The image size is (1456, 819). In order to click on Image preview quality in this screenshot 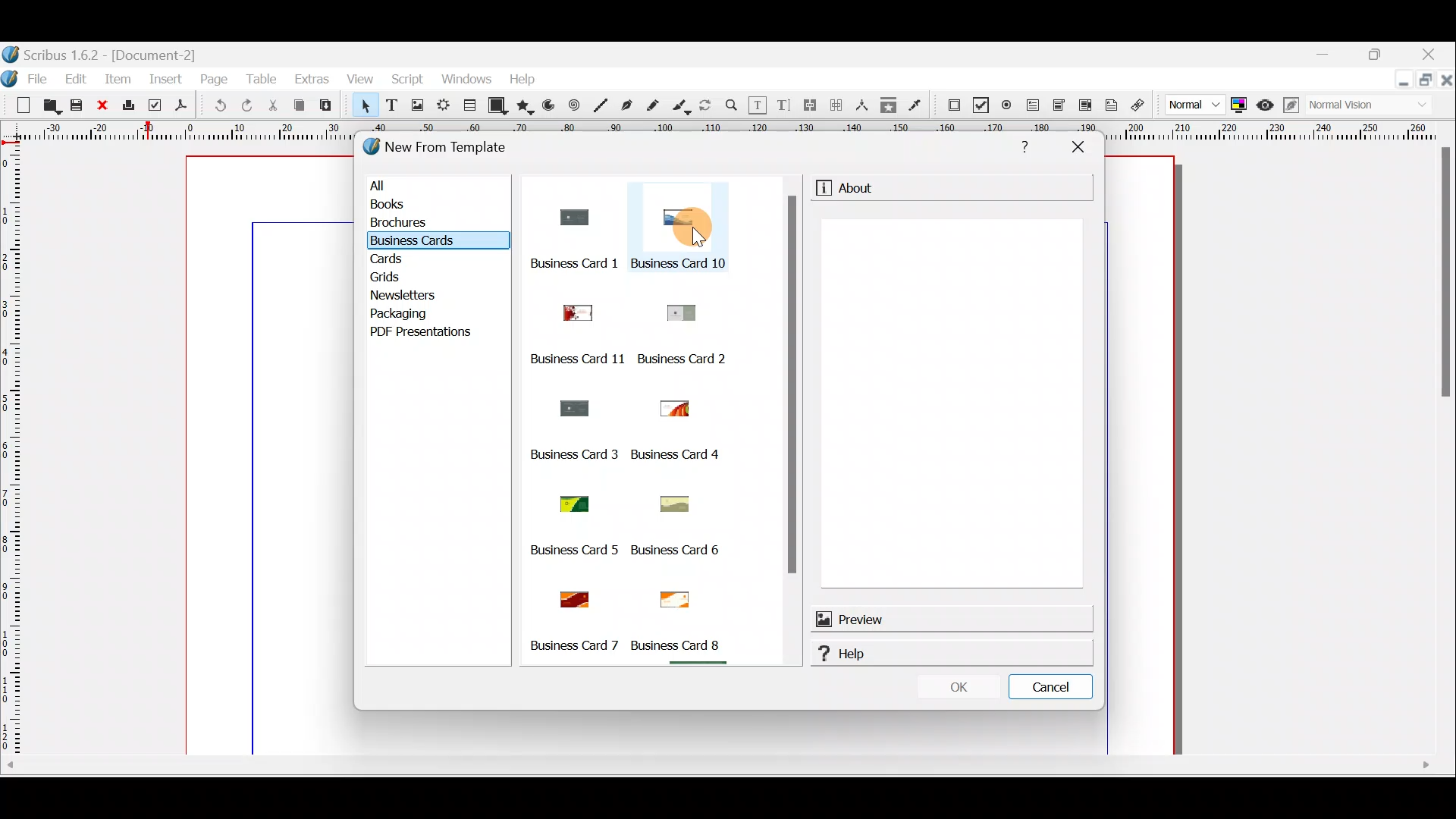, I will do `click(1187, 106)`.